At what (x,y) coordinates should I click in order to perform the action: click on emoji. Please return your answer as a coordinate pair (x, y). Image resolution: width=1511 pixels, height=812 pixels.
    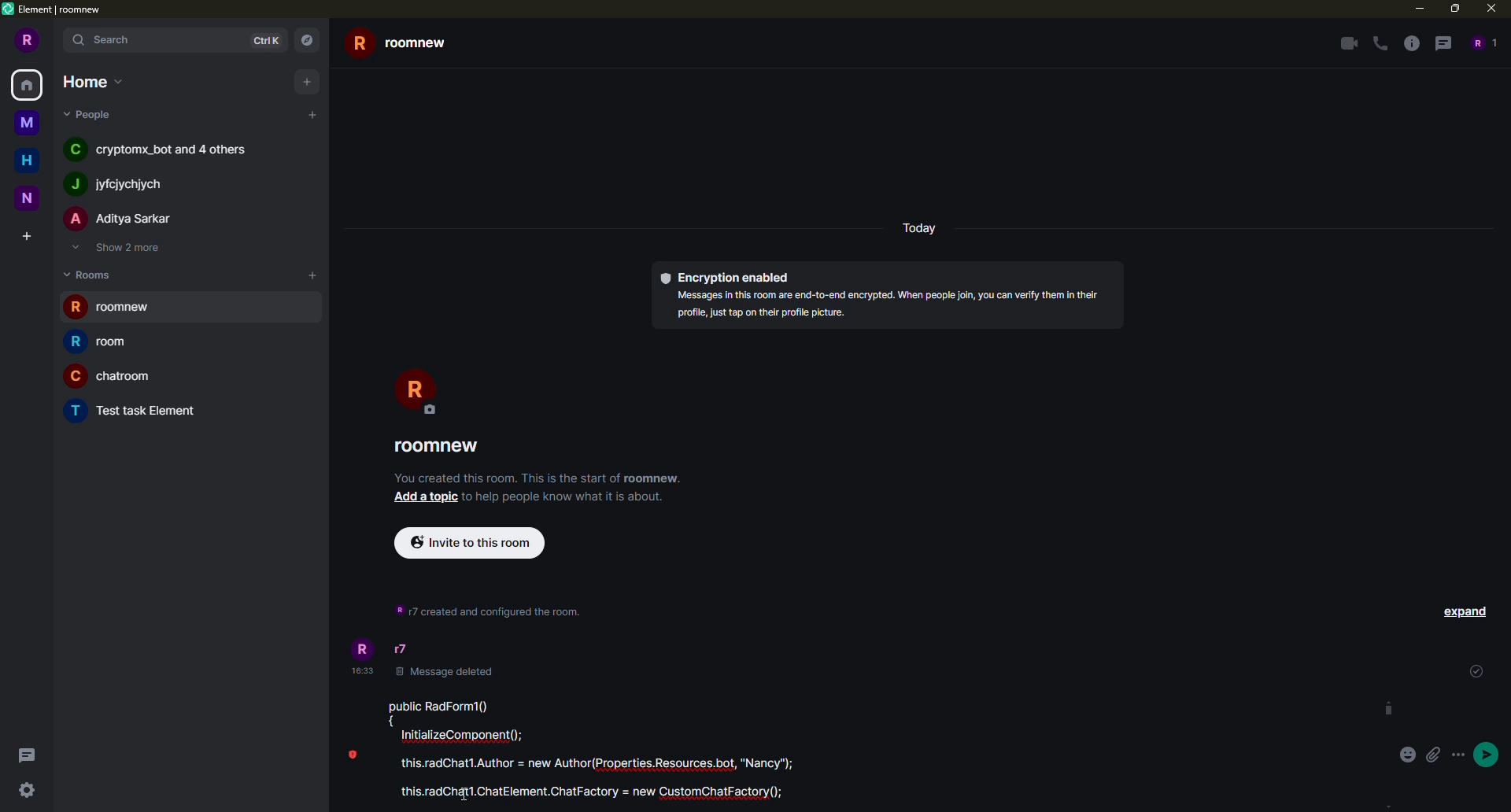
    Looking at the image, I should click on (1405, 752).